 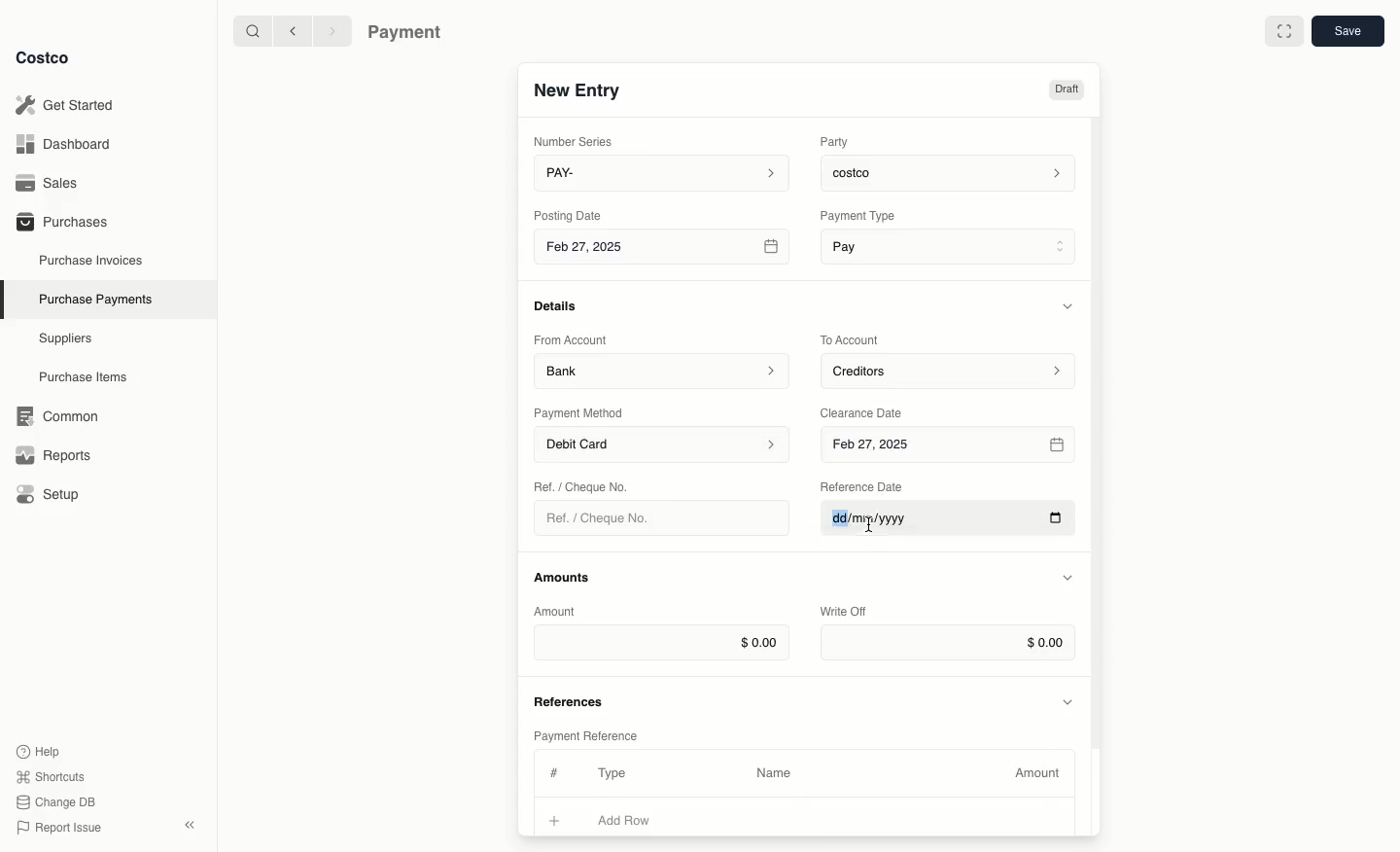 I want to click on Type, so click(x=616, y=773).